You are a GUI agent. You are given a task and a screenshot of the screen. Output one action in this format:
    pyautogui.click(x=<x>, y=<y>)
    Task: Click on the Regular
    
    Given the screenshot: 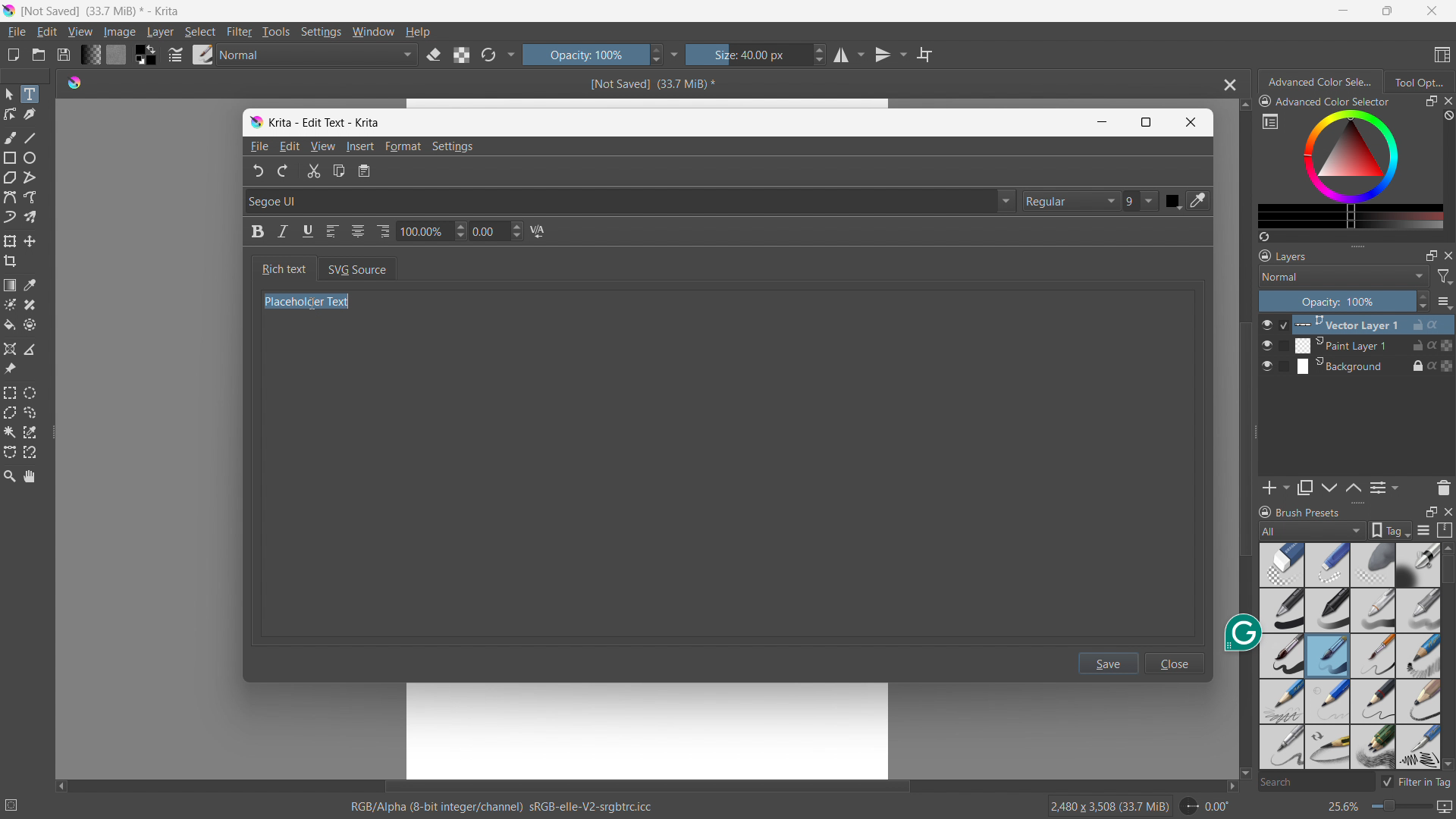 What is the action you would take?
    pyautogui.click(x=1071, y=201)
    